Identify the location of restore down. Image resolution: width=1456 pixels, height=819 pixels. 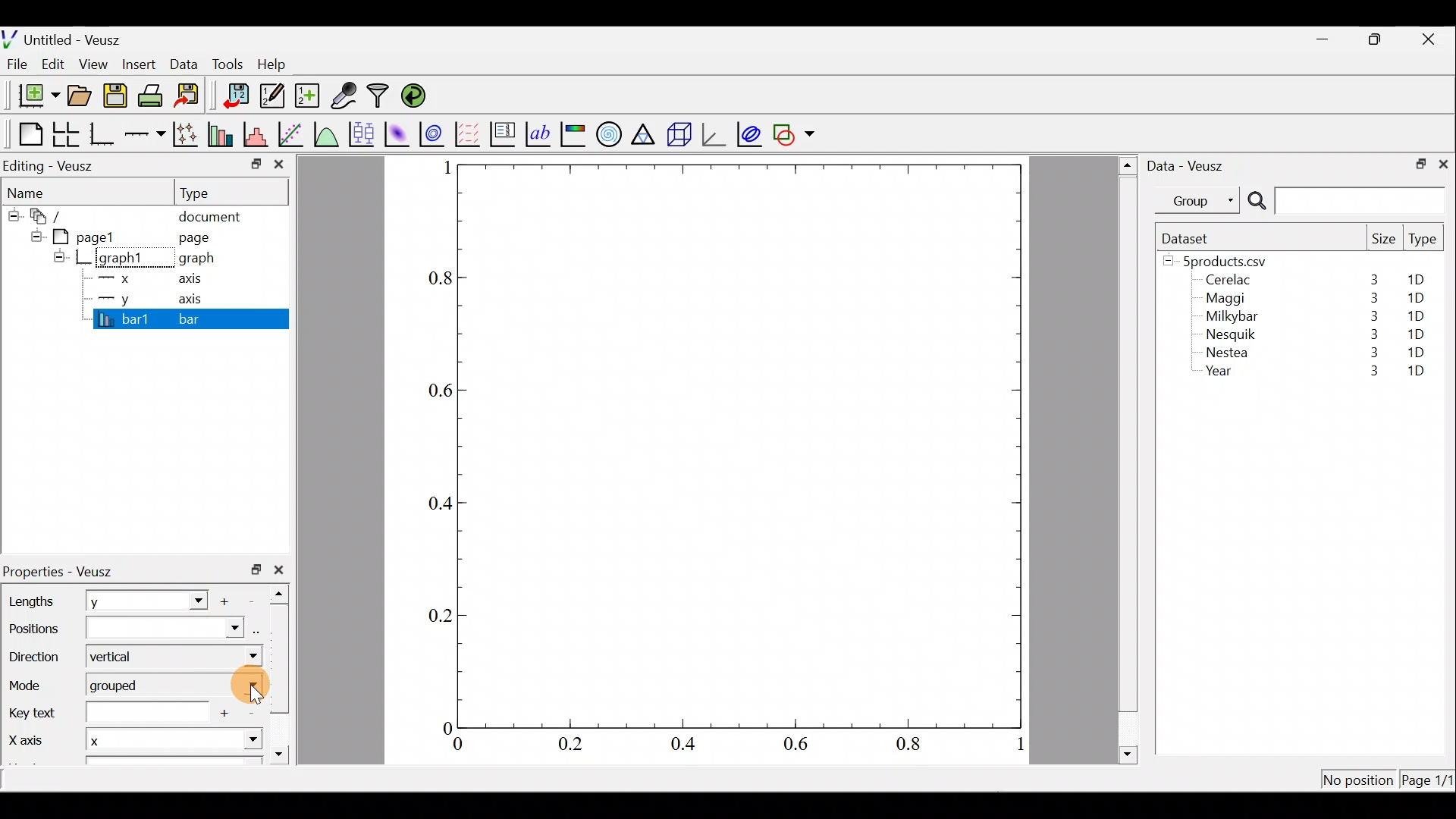
(1416, 162).